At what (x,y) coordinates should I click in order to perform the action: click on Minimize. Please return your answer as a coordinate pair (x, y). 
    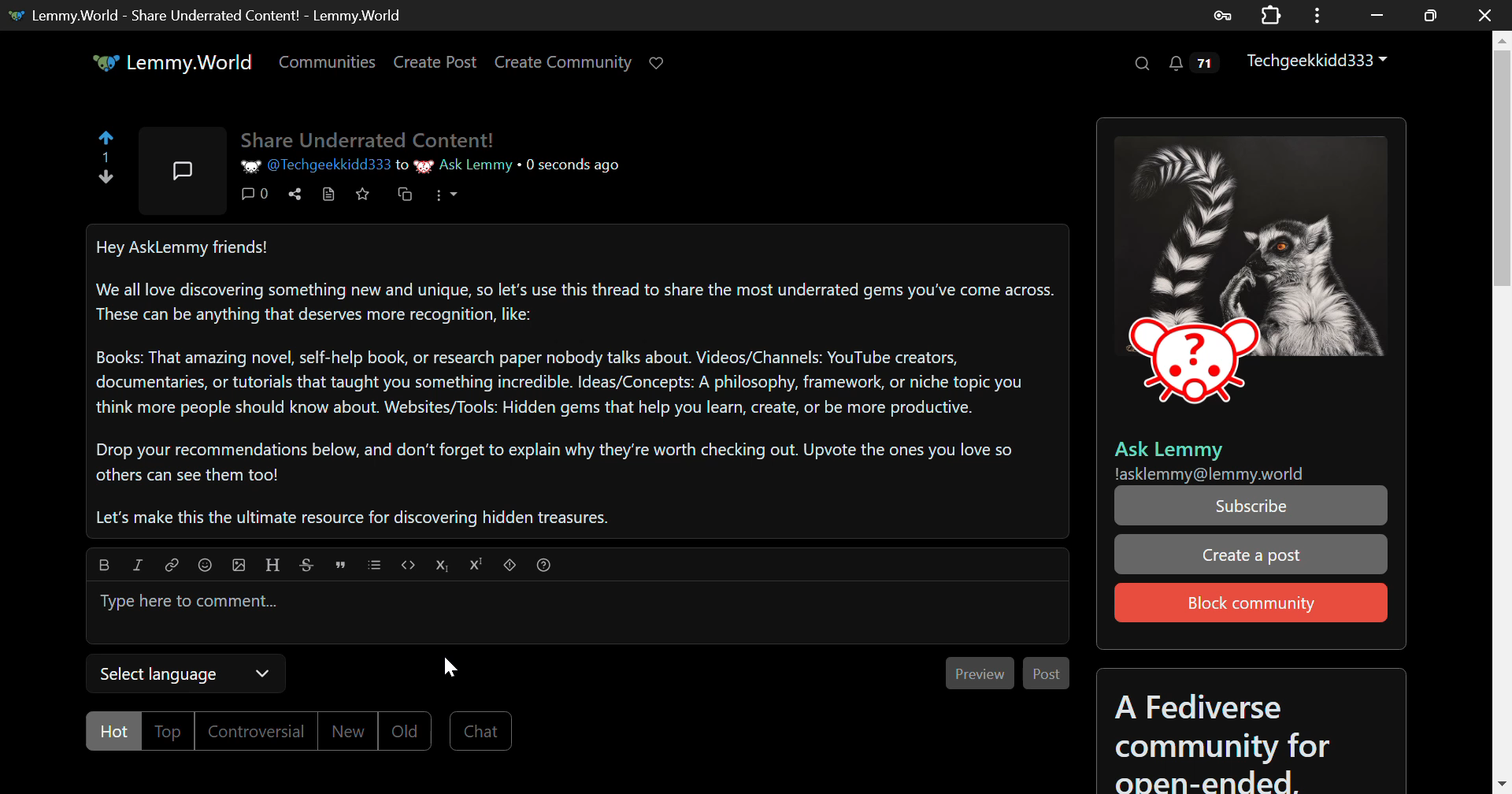
    Looking at the image, I should click on (1431, 16).